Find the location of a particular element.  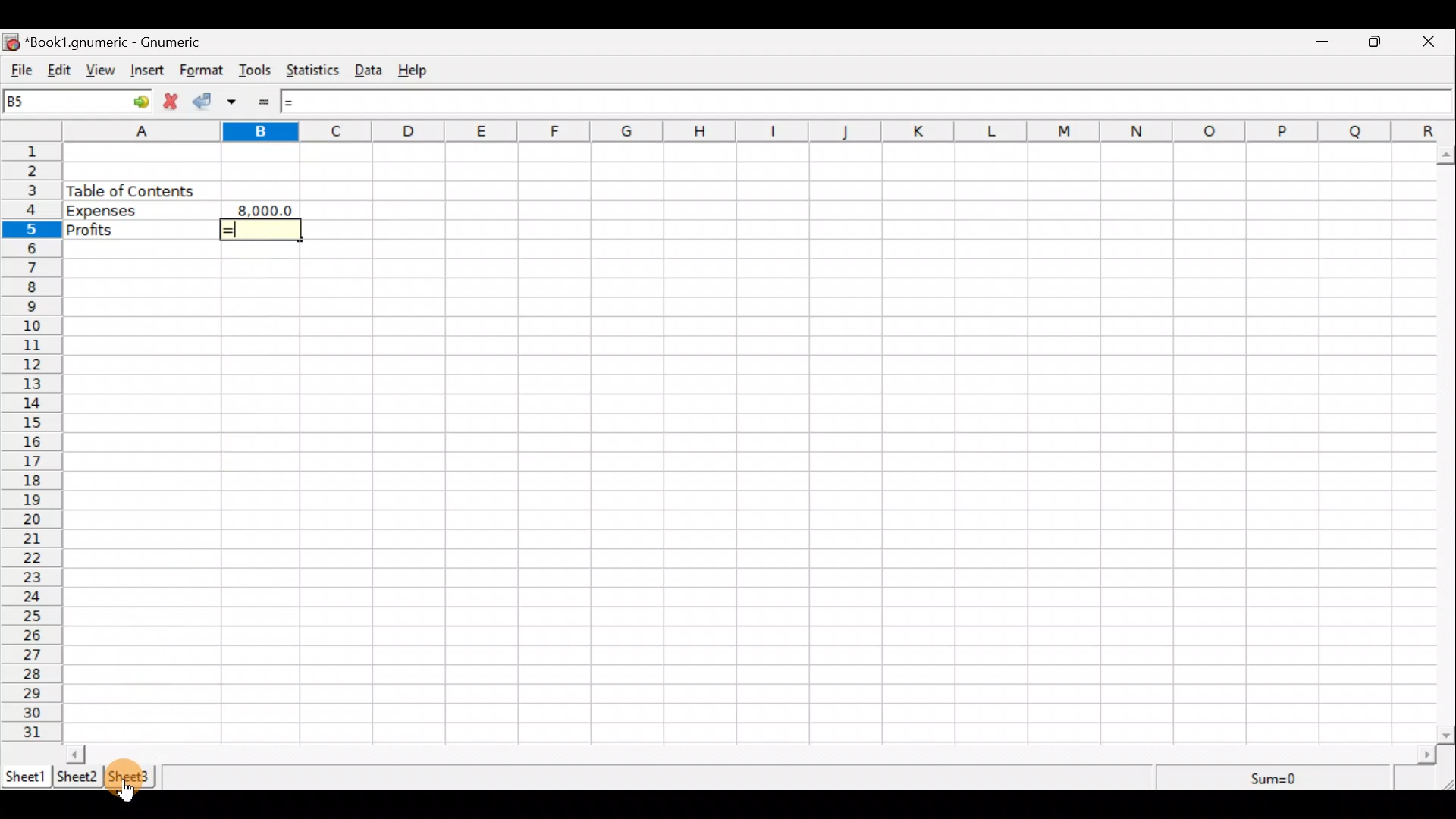

scroll down is located at coordinates (1447, 735).